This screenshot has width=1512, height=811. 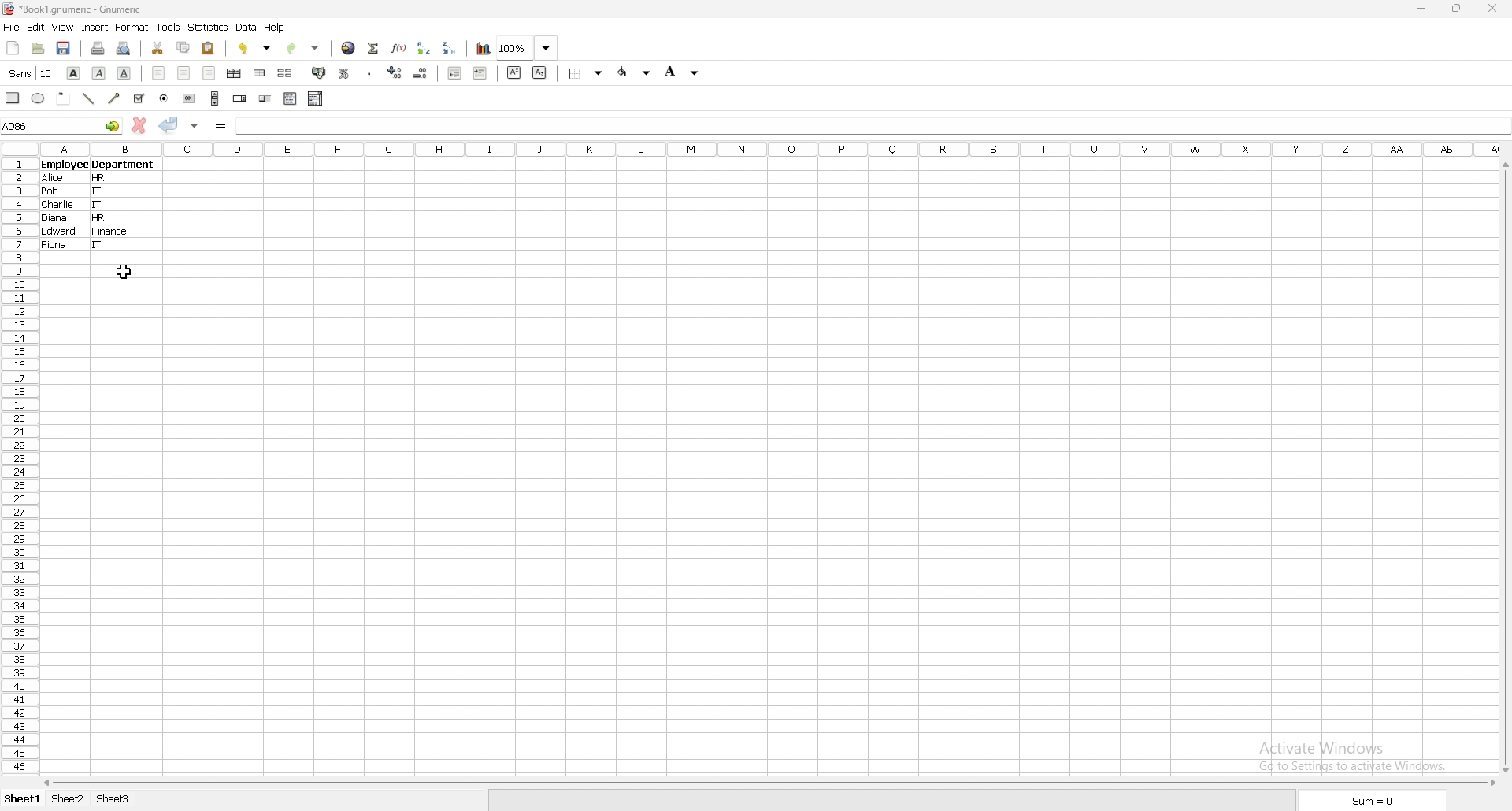 I want to click on superscript, so click(x=514, y=72).